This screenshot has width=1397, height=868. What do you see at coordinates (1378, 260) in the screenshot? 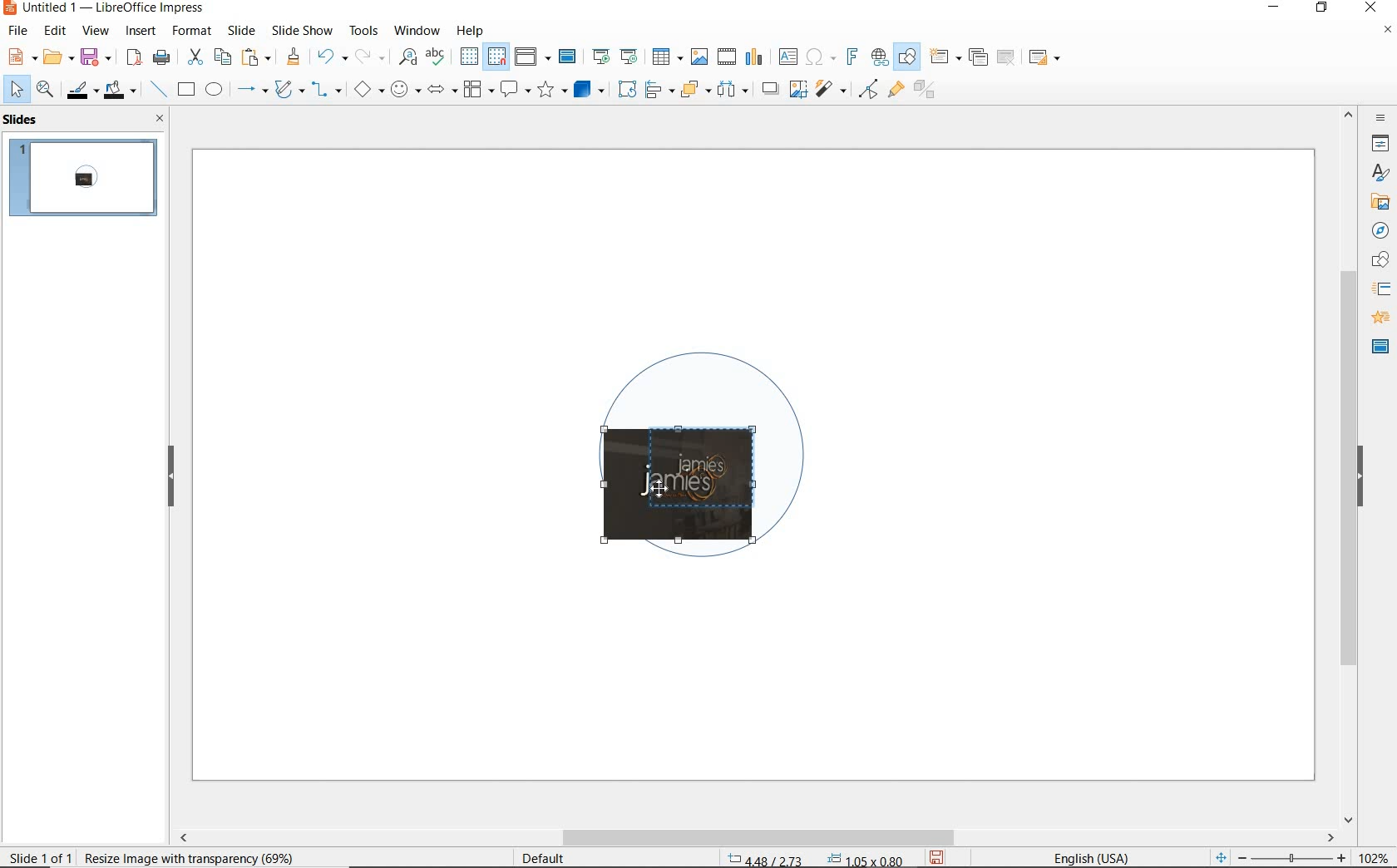
I see `shapes` at bounding box center [1378, 260].